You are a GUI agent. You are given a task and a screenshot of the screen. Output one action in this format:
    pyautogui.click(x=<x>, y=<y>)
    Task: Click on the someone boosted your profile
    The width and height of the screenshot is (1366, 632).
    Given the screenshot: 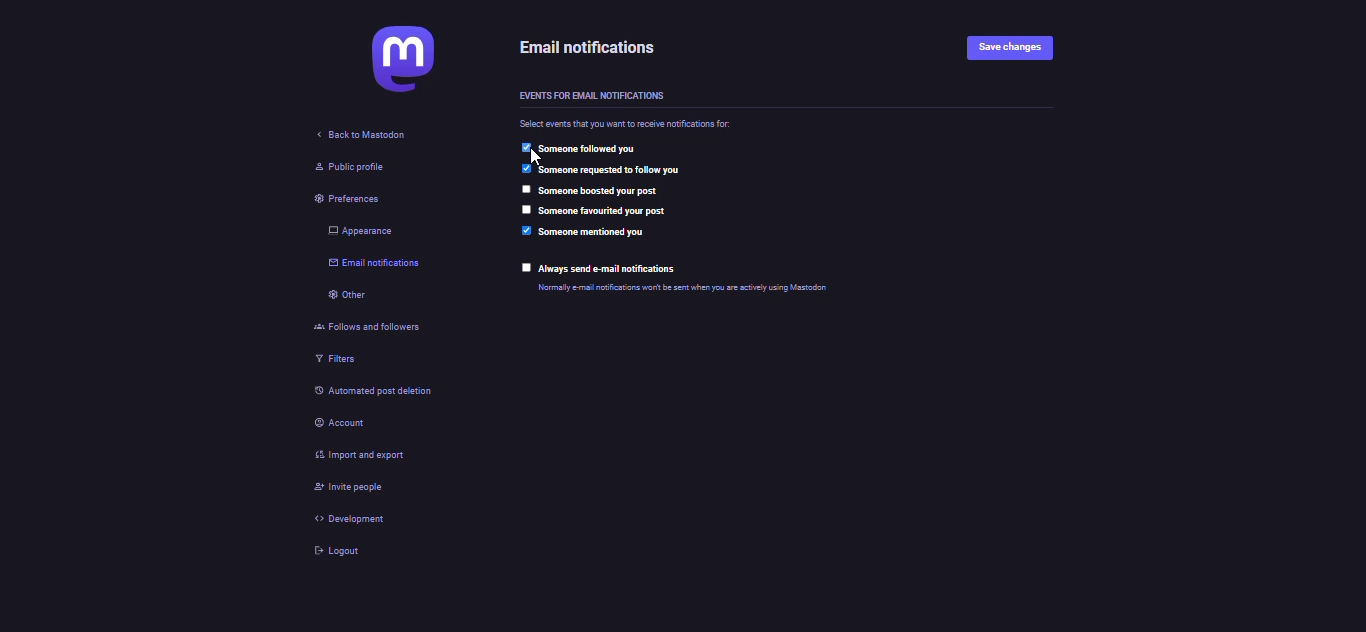 What is the action you would take?
    pyautogui.click(x=600, y=191)
    